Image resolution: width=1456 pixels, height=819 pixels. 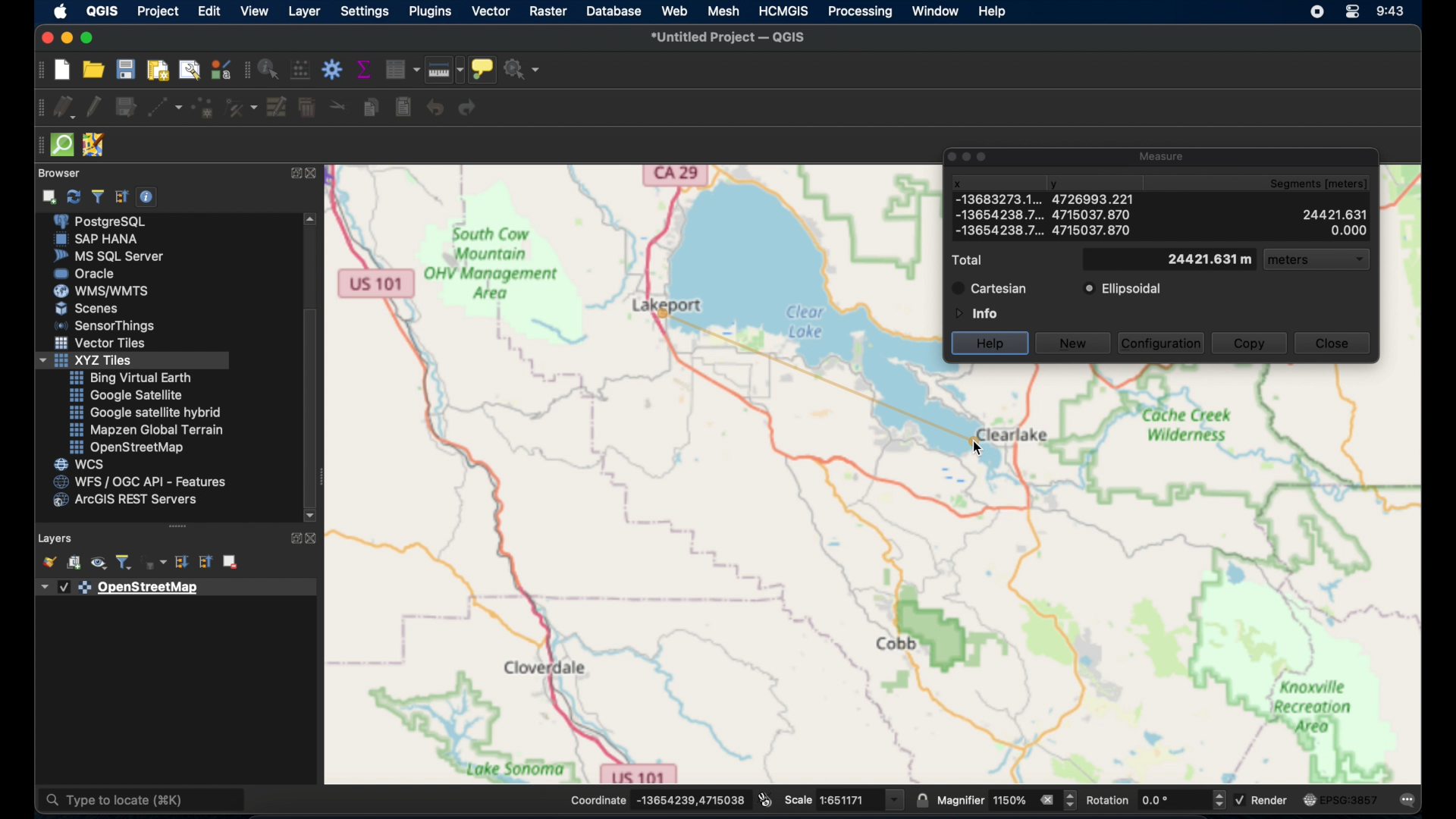 What do you see at coordinates (1250, 344) in the screenshot?
I see `copy` at bounding box center [1250, 344].